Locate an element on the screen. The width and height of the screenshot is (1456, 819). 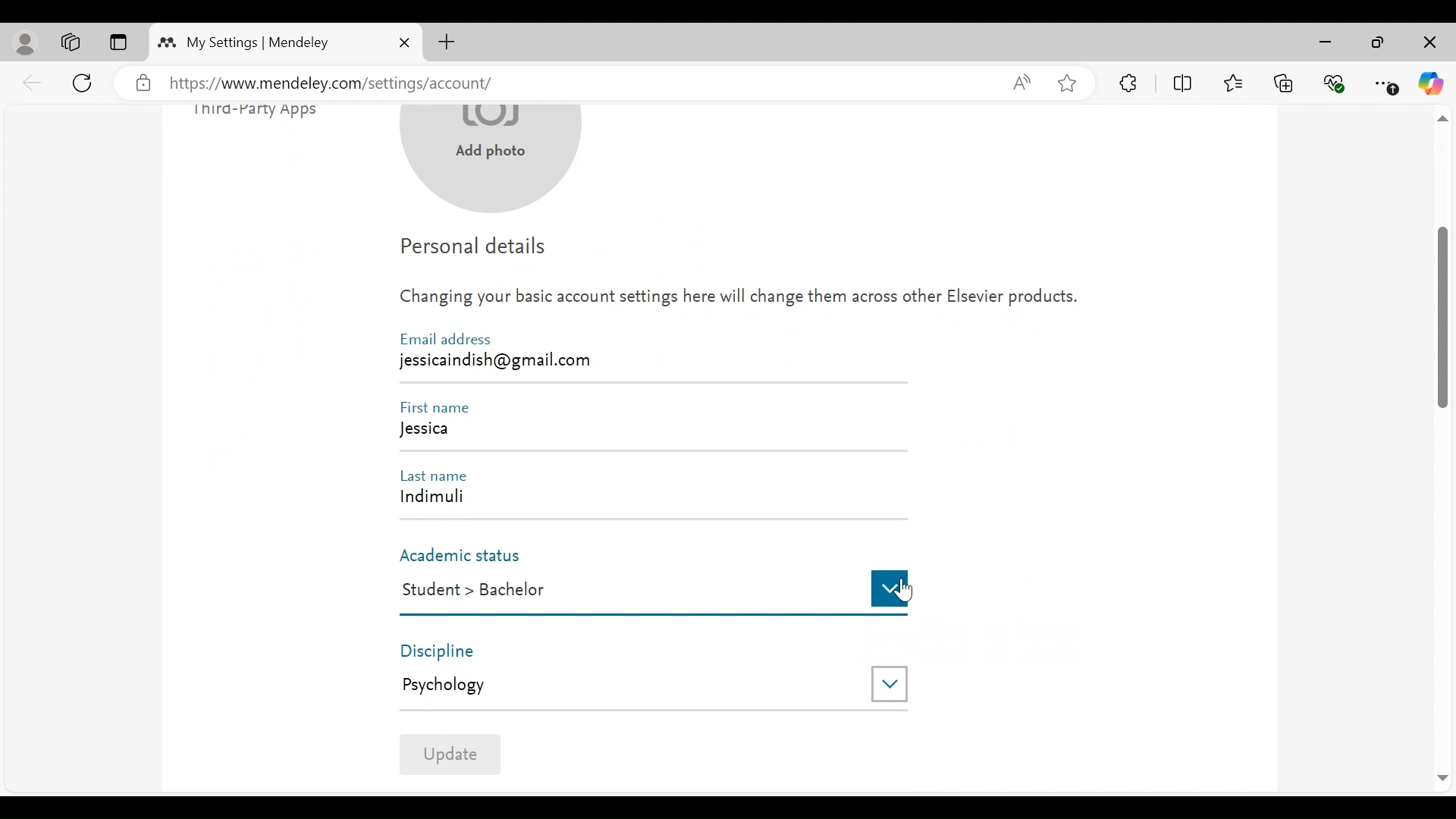
Browser Essentials is located at coordinates (1335, 82).